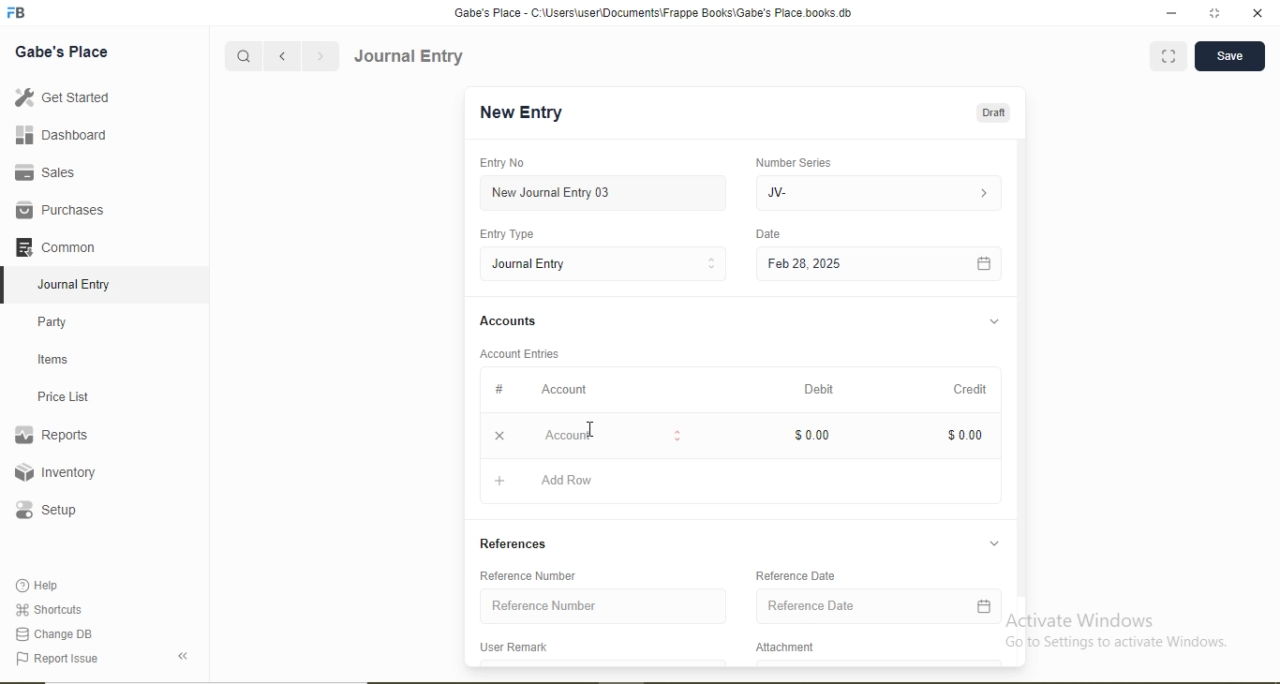  What do you see at coordinates (531, 264) in the screenshot?
I see `Journal Entry` at bounding box center [531, 264].